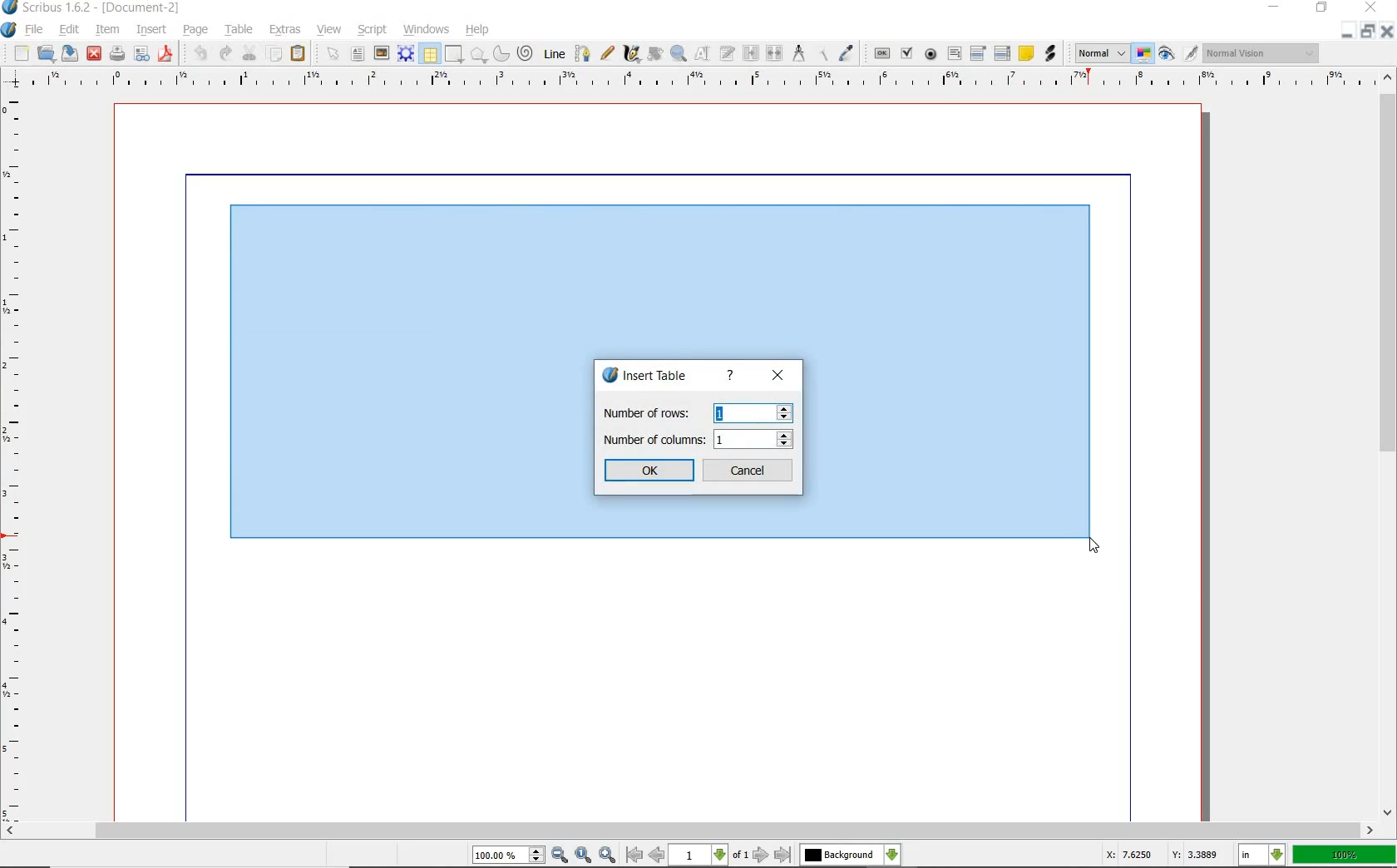 The height and width of the screenshot is (868, 1397). What do you see at coordinates (931, 55) in the screenshot?
I see `pdf radio button` at bounding box center [931, 55].